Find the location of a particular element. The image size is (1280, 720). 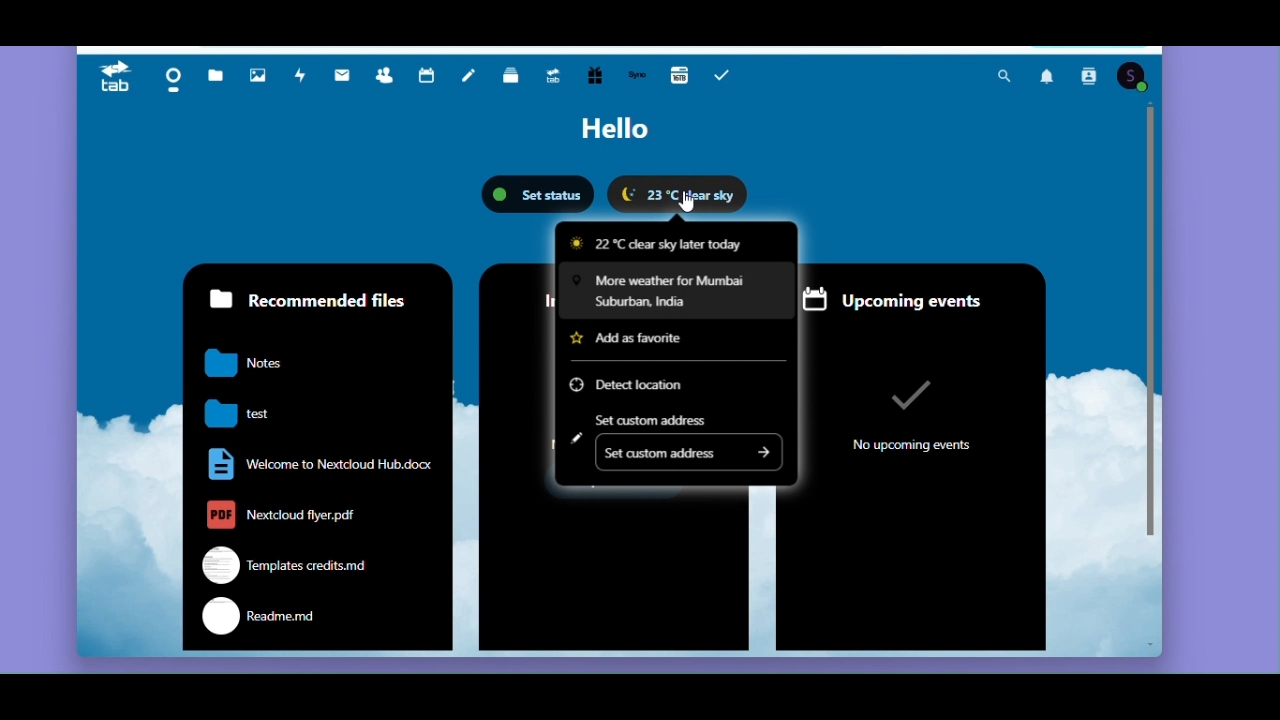

nextcloud flyer.pdf is located at coordinates (275, 515).